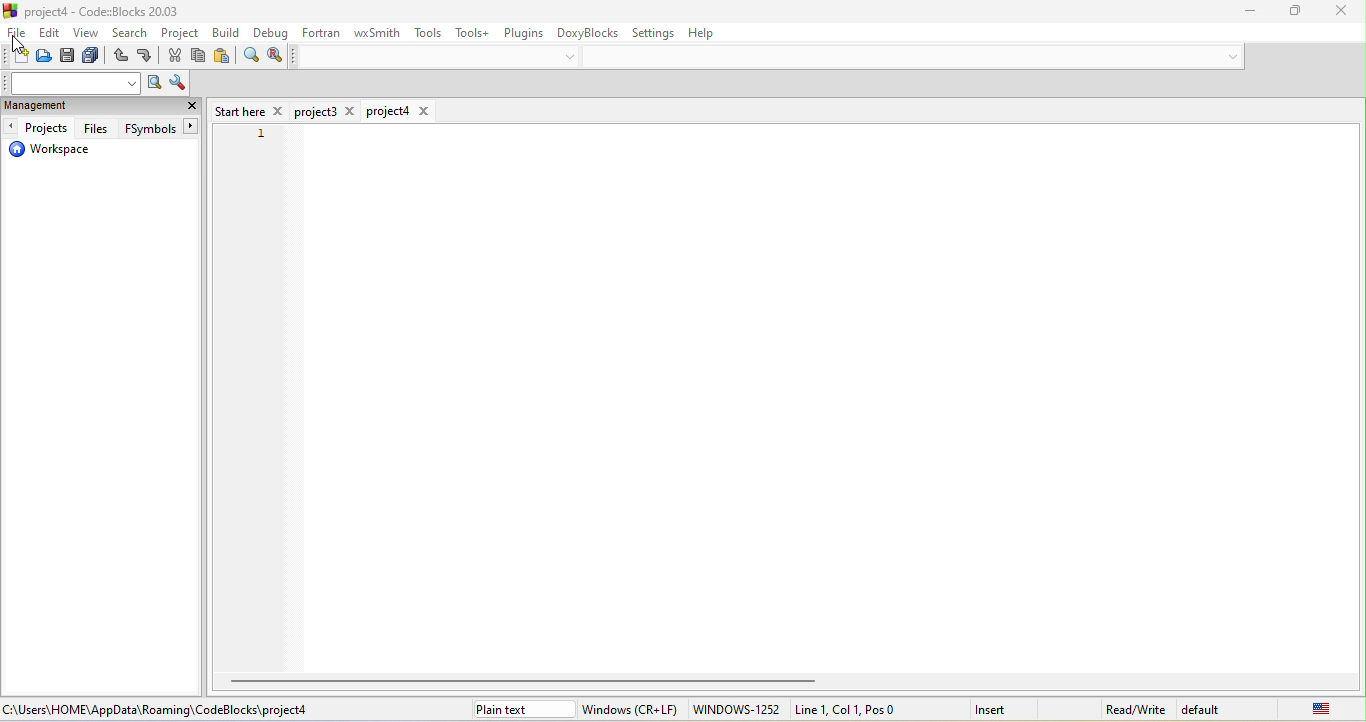 This screenshot has height=722, width=1366. What do you see at coordinates (63, 107) in the screenshot?
I see `management` at bounding box center [63, 107].